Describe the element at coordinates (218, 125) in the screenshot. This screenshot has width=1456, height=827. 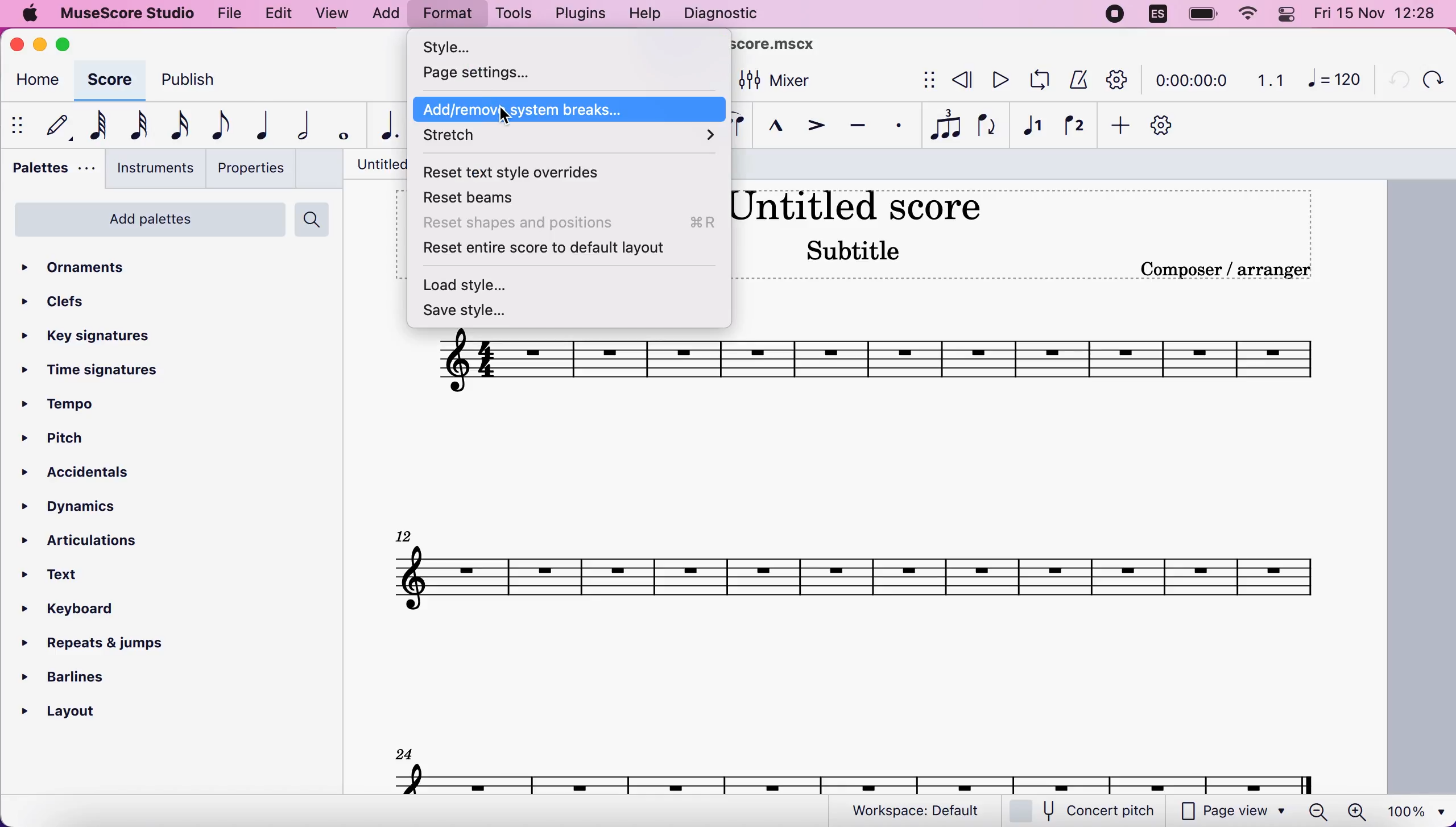
I see `eight note` at that location.